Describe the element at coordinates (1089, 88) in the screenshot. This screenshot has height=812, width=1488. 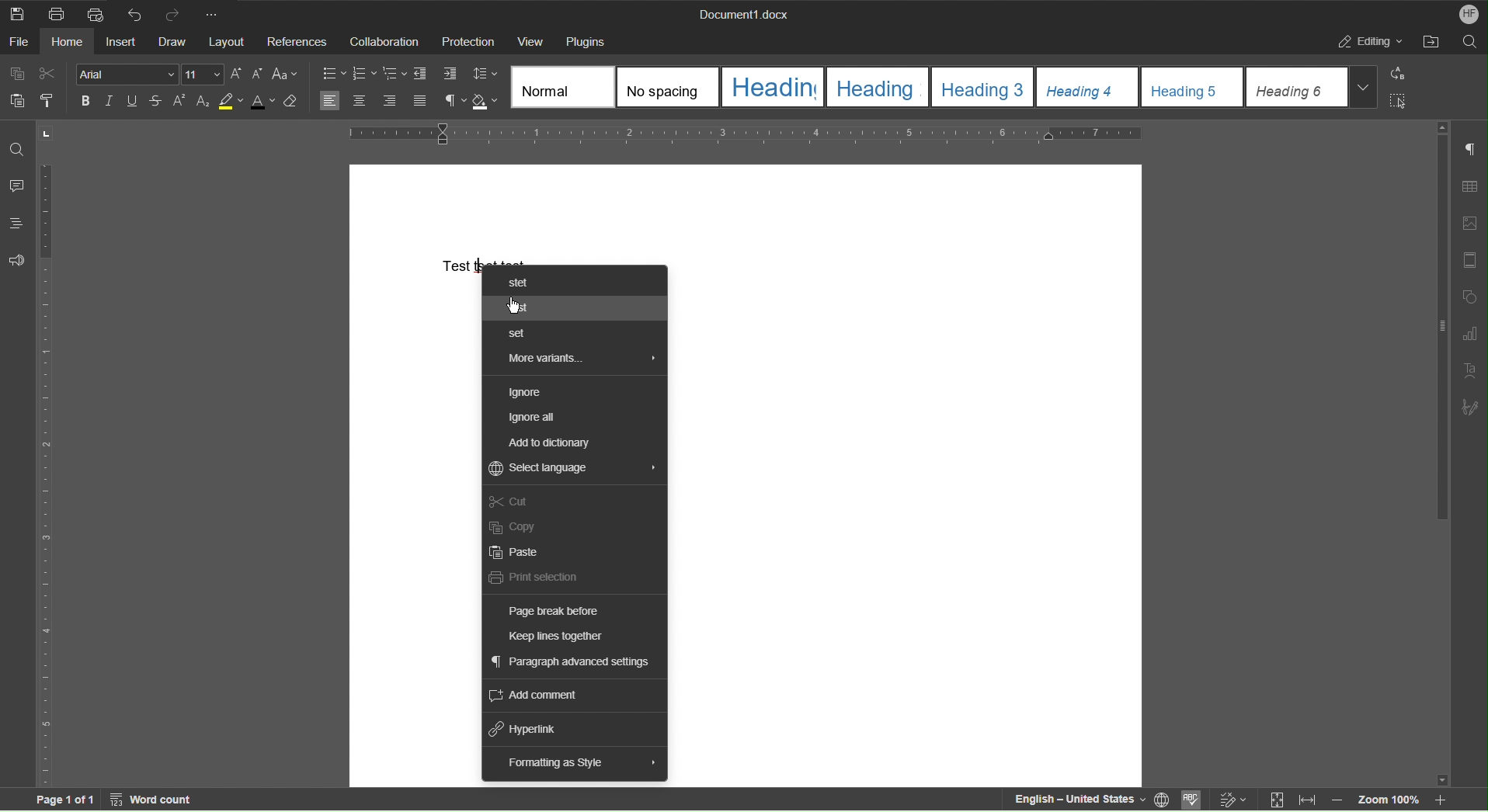
I see `Heading 4` at that location.